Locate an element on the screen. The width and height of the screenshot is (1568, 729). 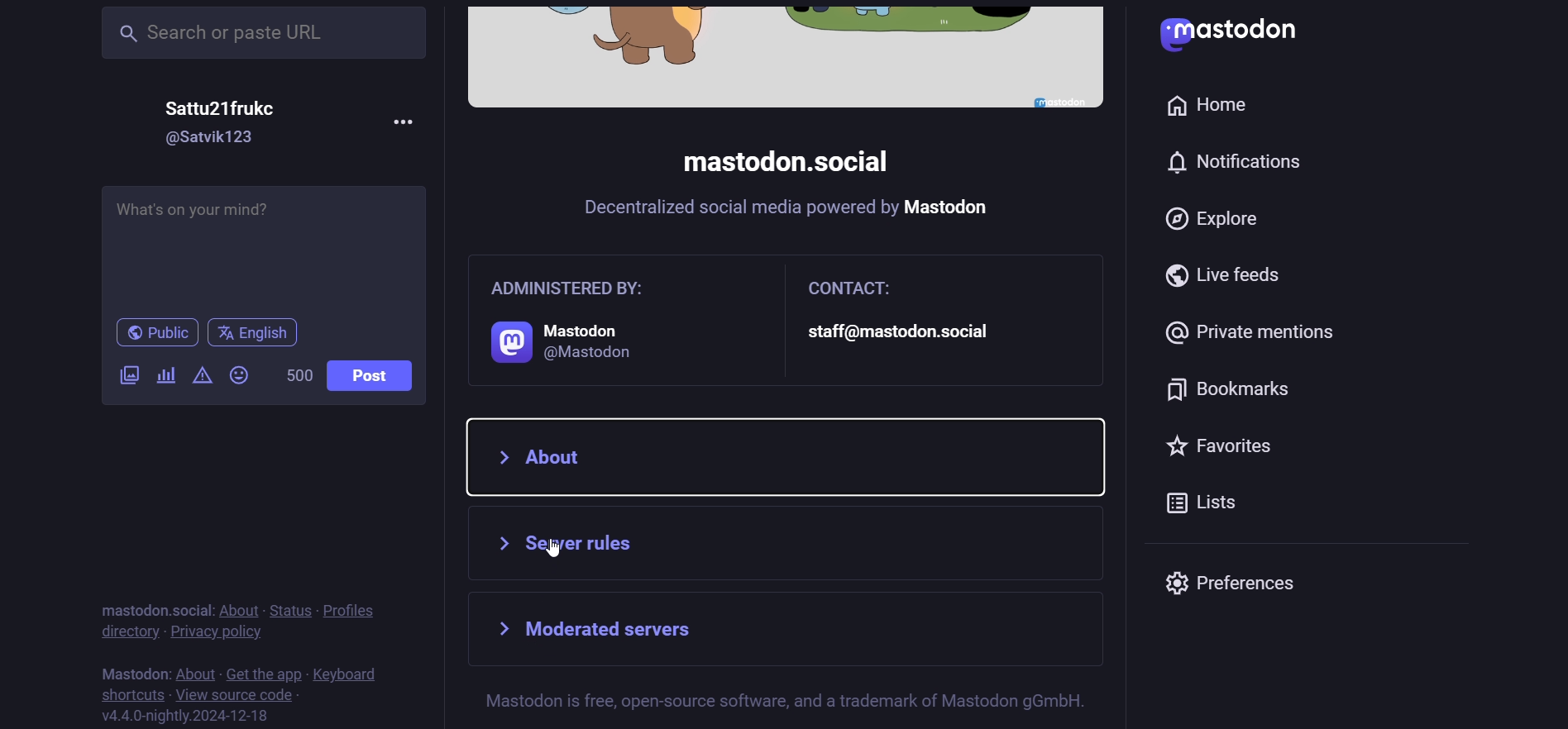
logo is located at coordinates (1241, 34).